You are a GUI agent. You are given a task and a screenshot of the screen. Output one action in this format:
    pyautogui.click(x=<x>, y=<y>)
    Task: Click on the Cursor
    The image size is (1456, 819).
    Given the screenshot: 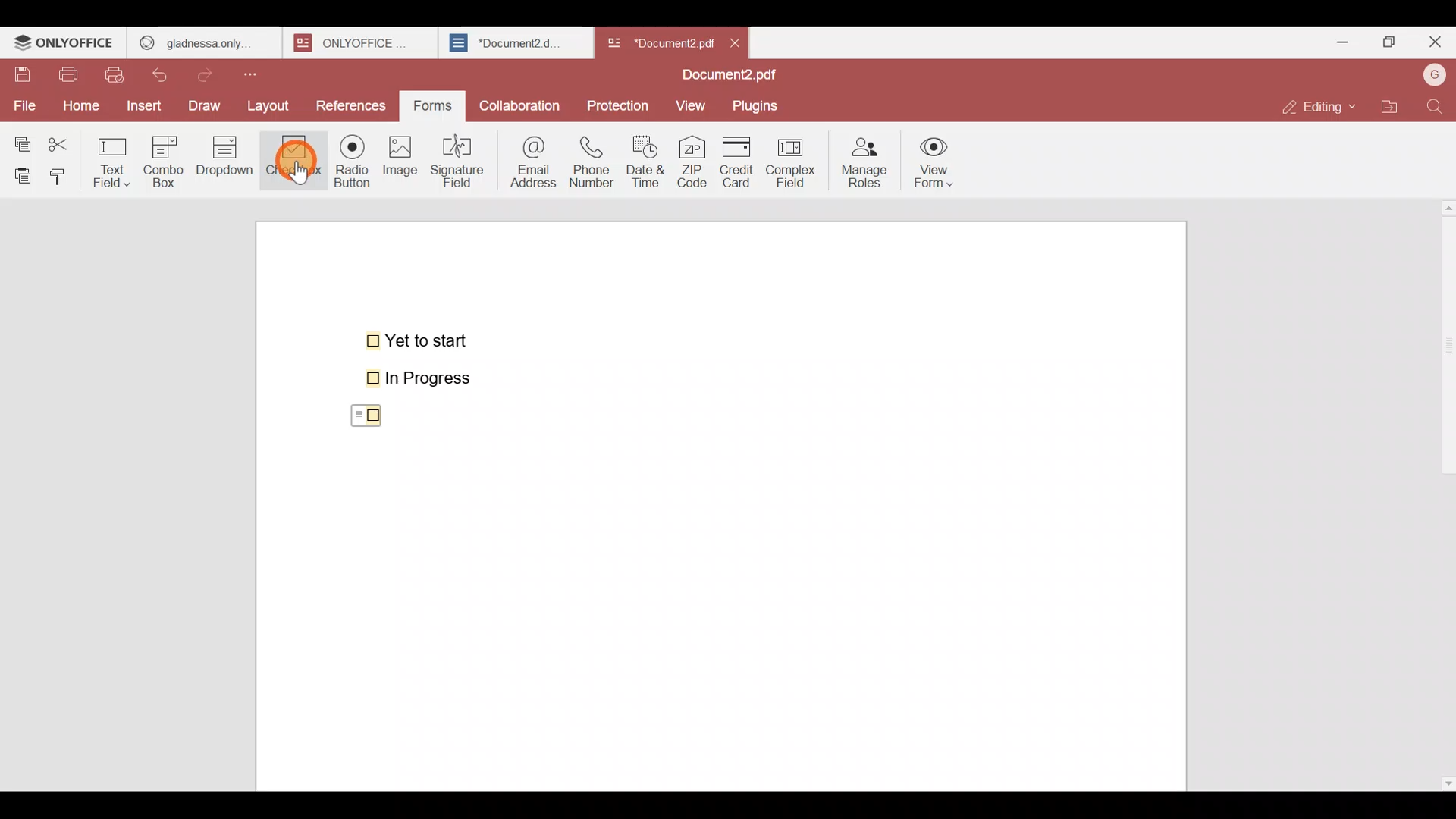 What is the action you would take?
    pyautogui.click(x=294, y=162)
    